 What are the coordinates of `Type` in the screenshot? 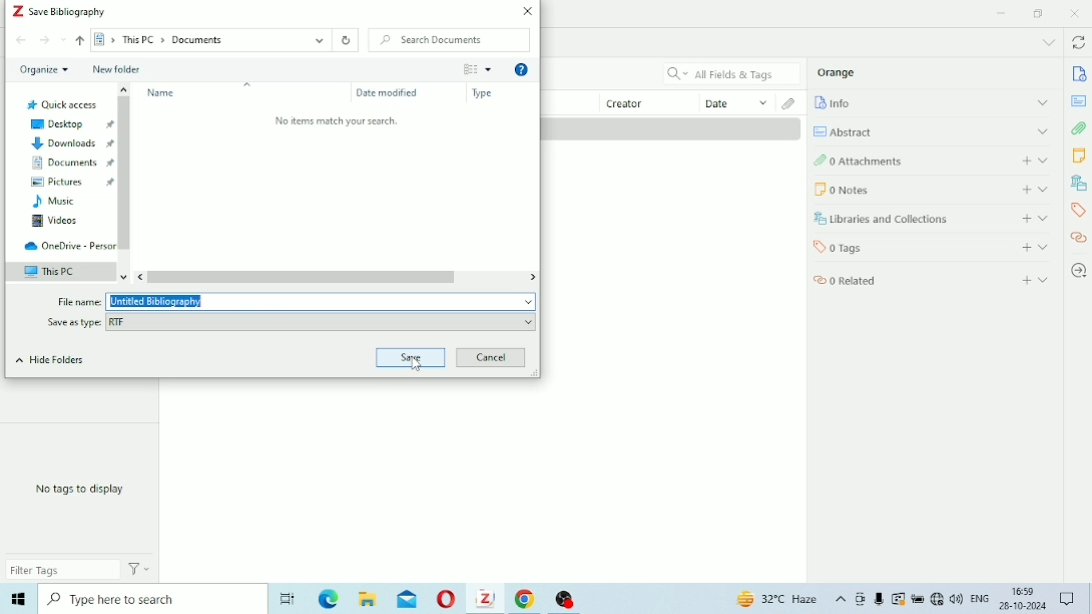 It's located at (484, 94).